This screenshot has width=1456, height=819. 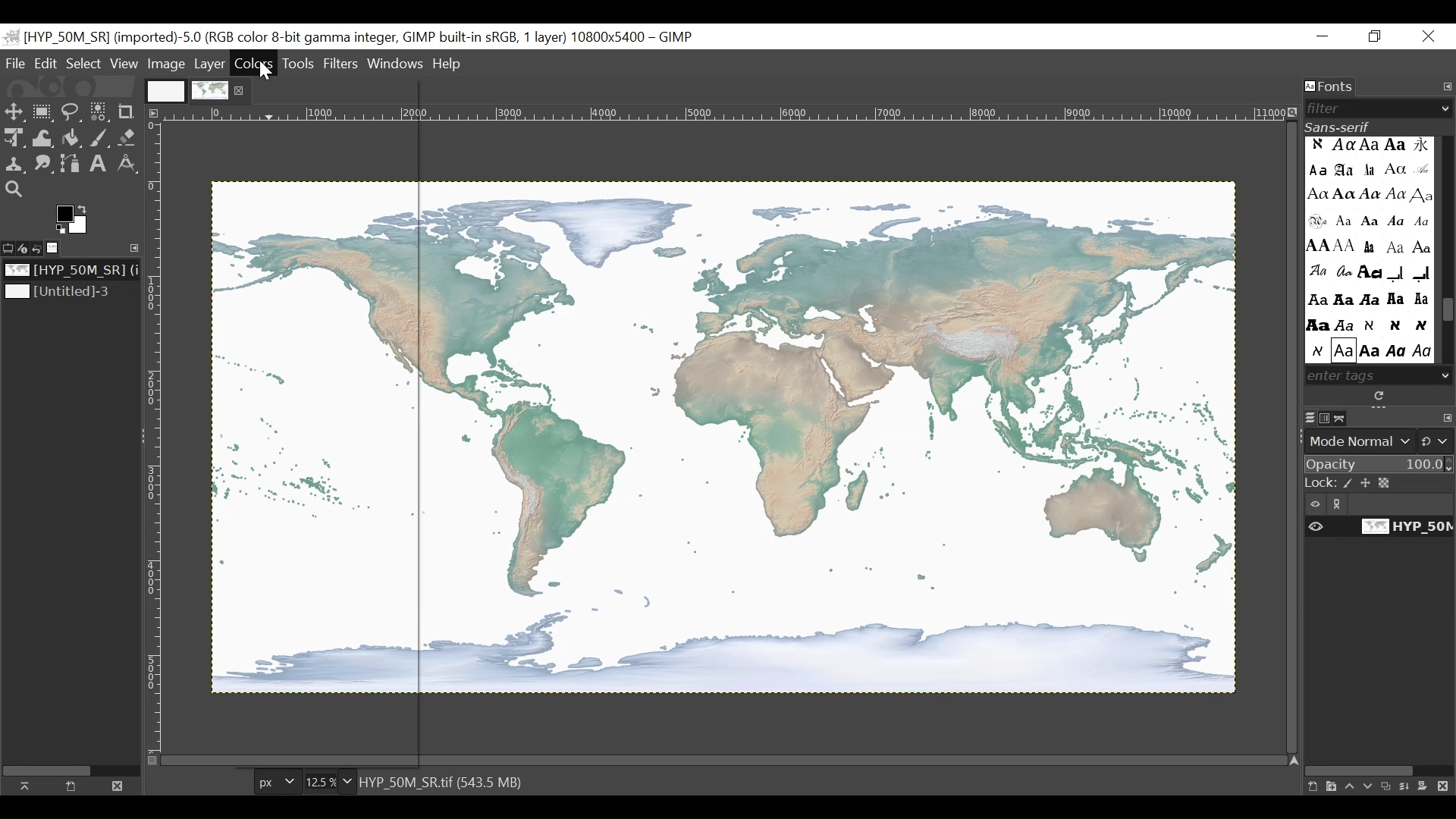 I want to click on Select, so click(x=83, y=64).